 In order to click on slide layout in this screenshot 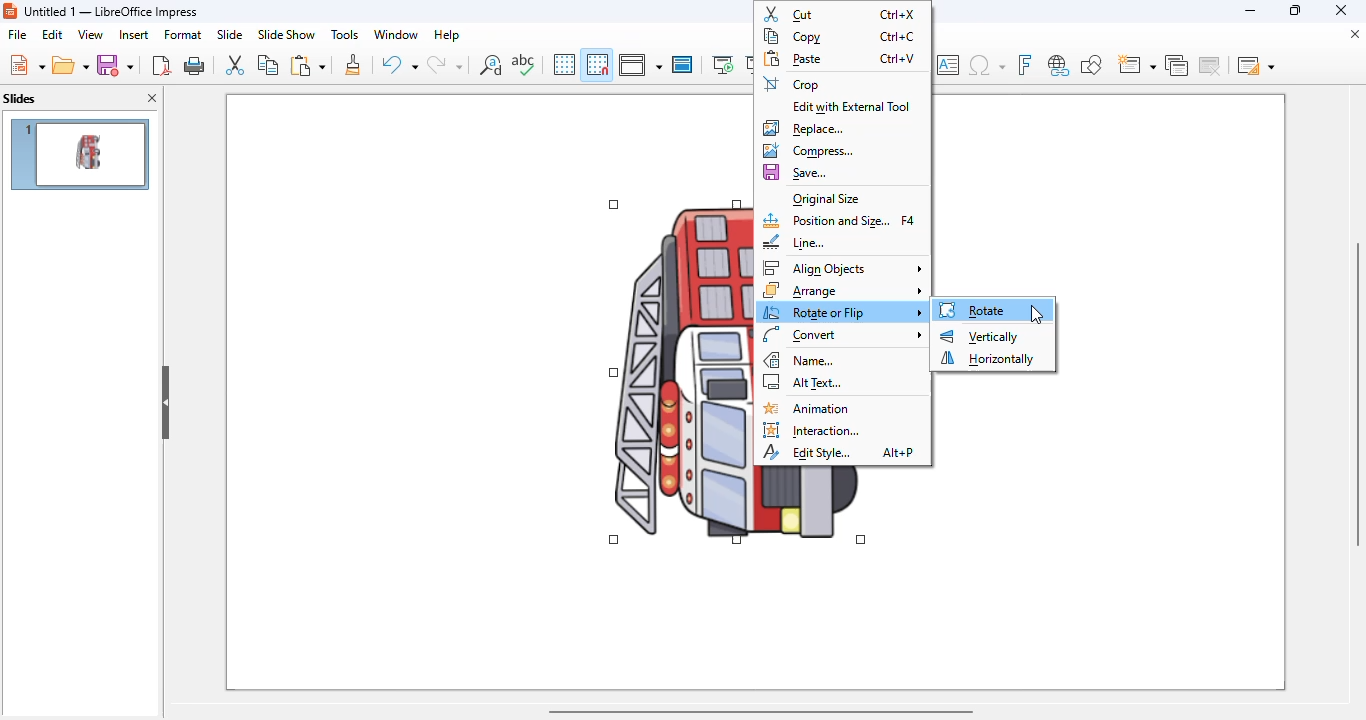, I will do `click(1254, 64)`.